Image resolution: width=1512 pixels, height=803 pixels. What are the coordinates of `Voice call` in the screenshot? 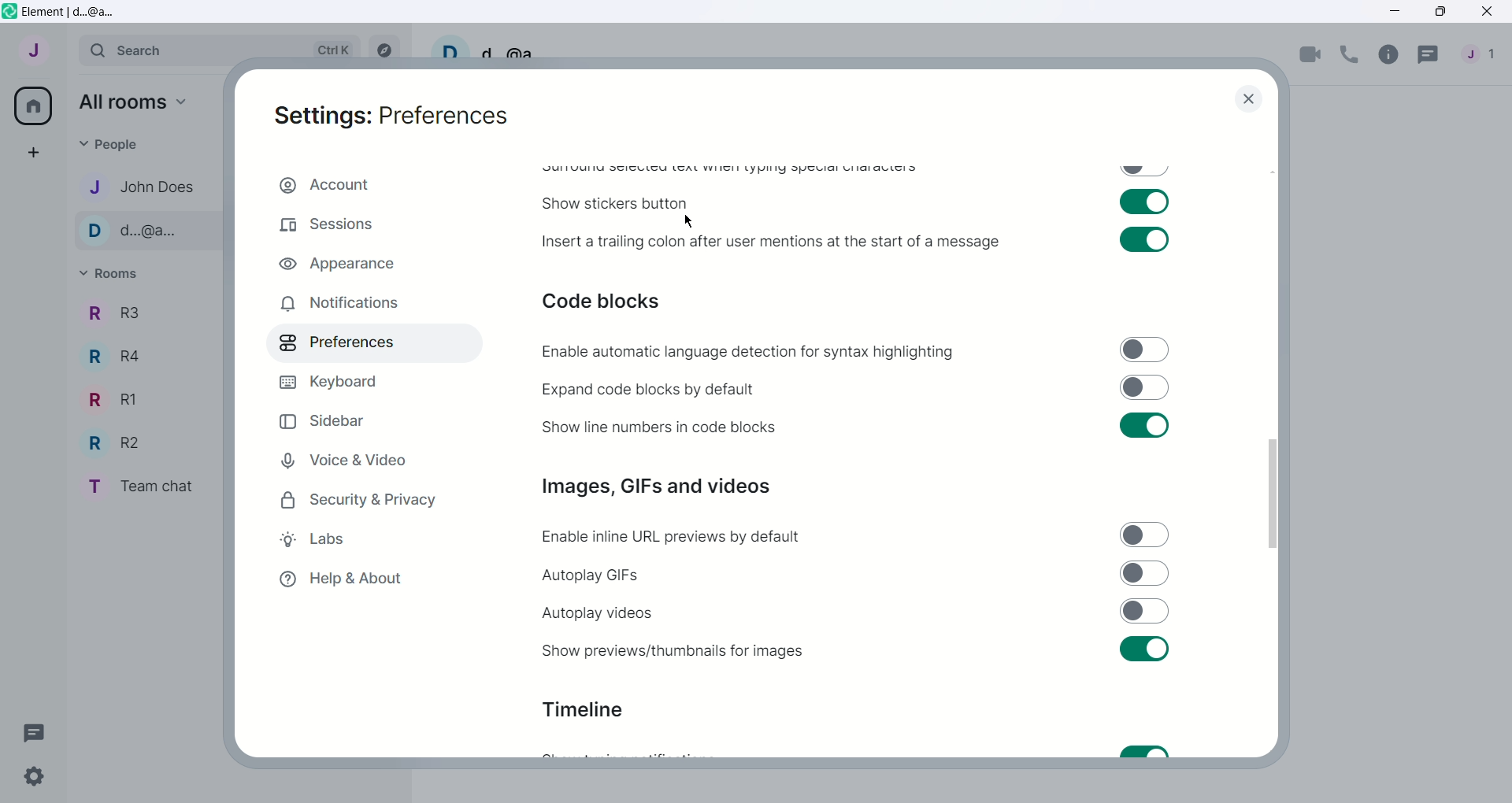 It's located at (1350, 55).